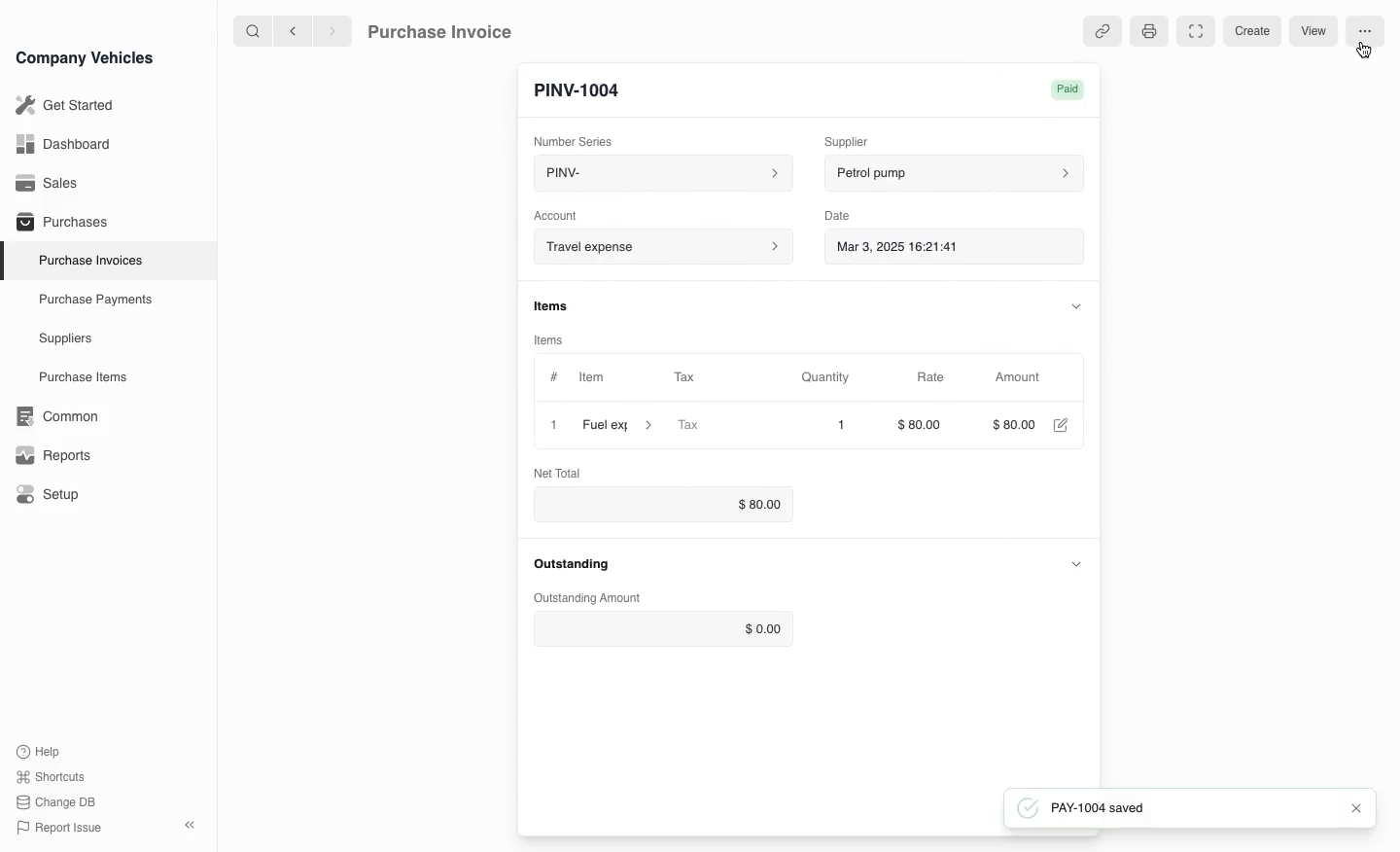 The height and width of the screenshot is (852, 1400). What do you see at coordinates (332, 30) in the screenshot?
I see `next` at bounding box center [332, 30].